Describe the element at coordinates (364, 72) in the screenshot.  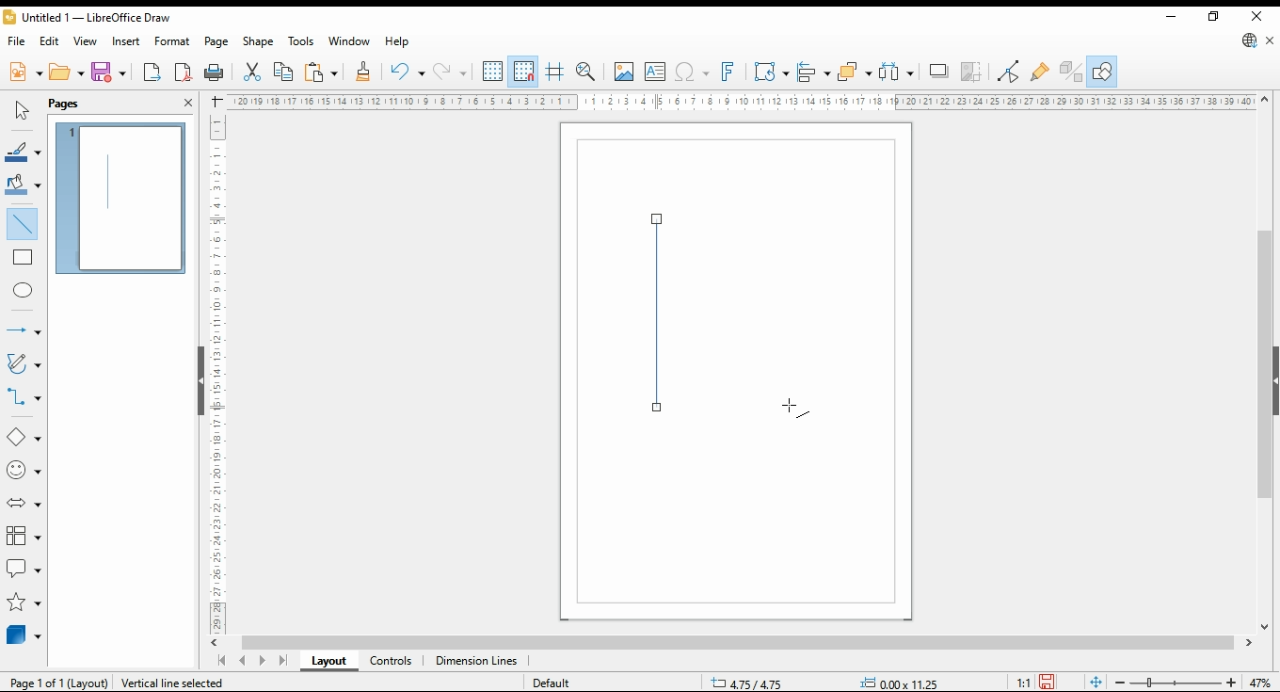
I see `copy formatting` at that location.